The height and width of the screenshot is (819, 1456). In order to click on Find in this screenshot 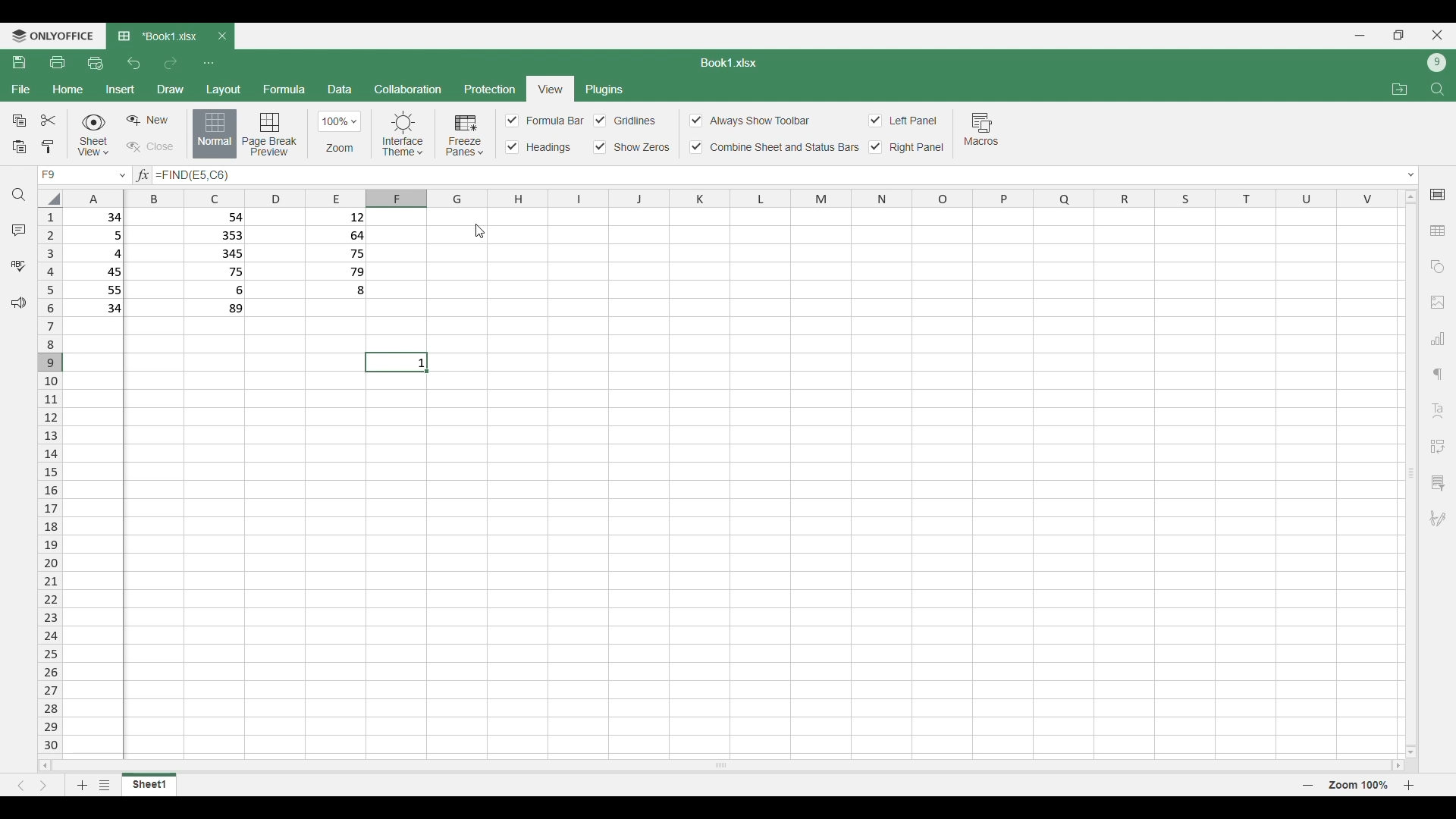, I will do `click(17, 194)`.